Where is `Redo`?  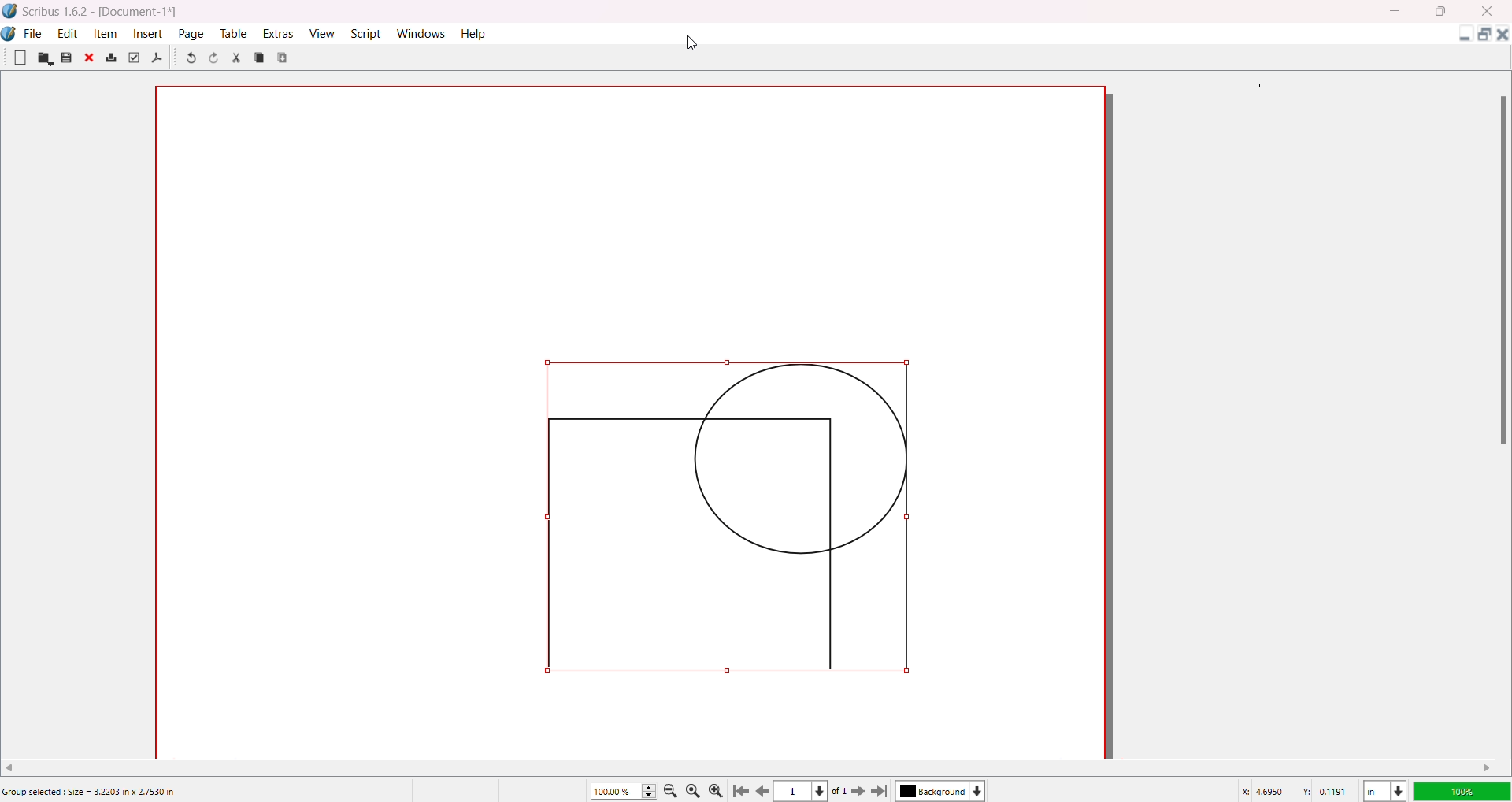
Redo is located at coordinates (217, 60).